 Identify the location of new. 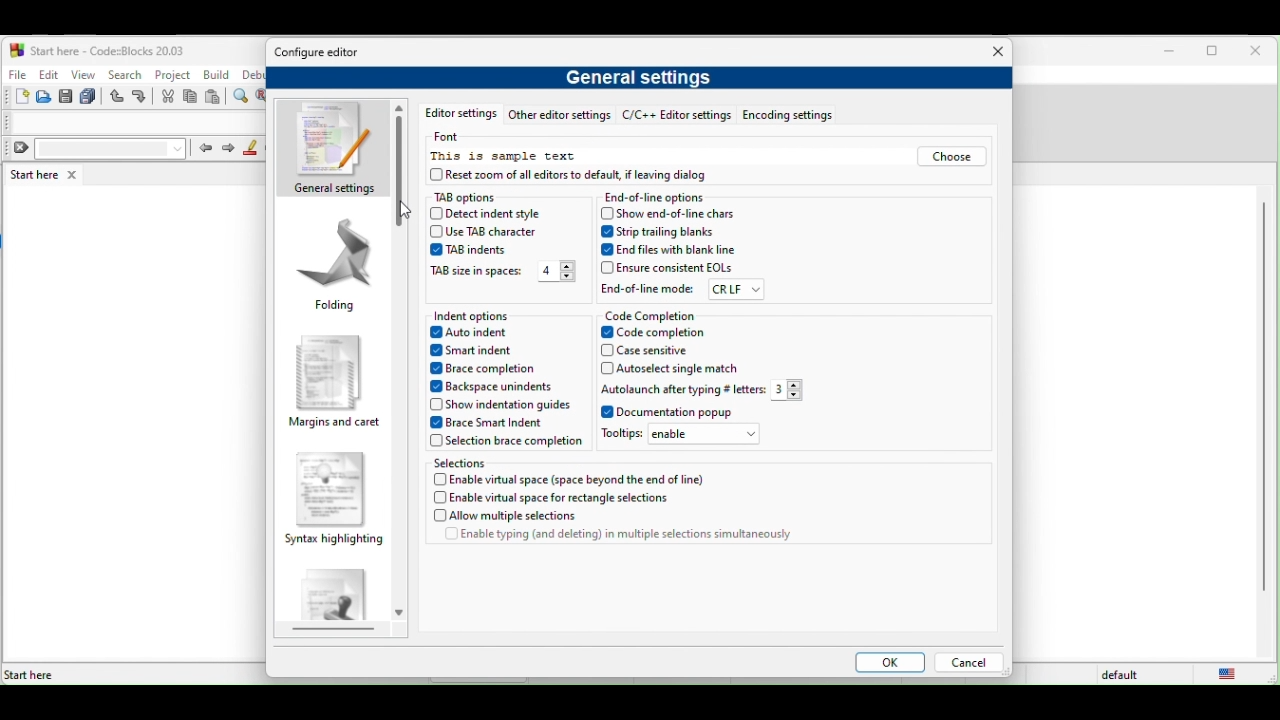
(16, 97).